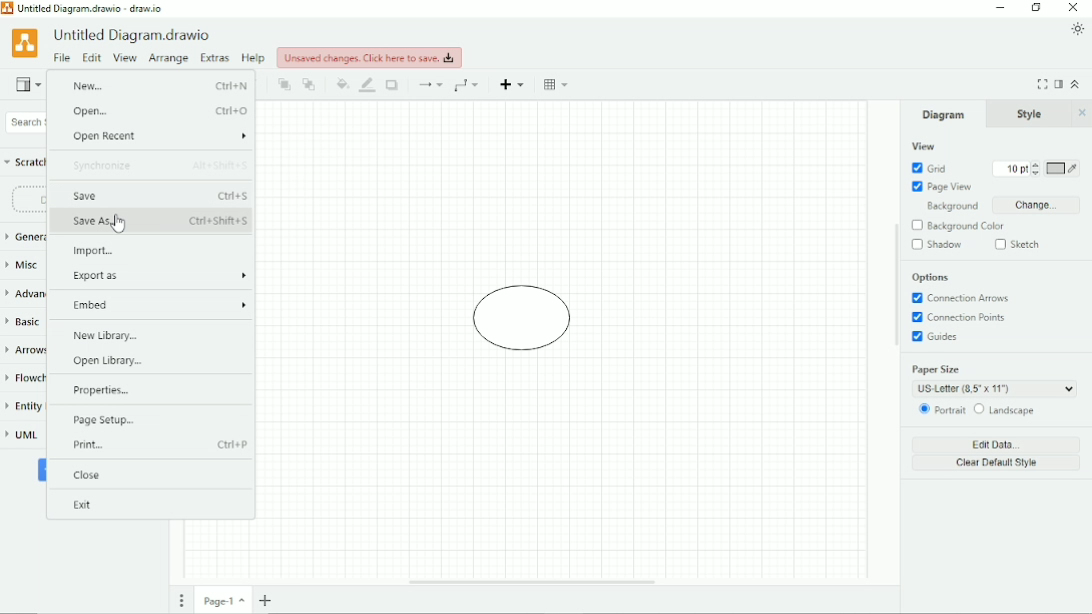 The height and width of the screenshot is (614, 1092). I want to click on New Library, so click(126, 336).